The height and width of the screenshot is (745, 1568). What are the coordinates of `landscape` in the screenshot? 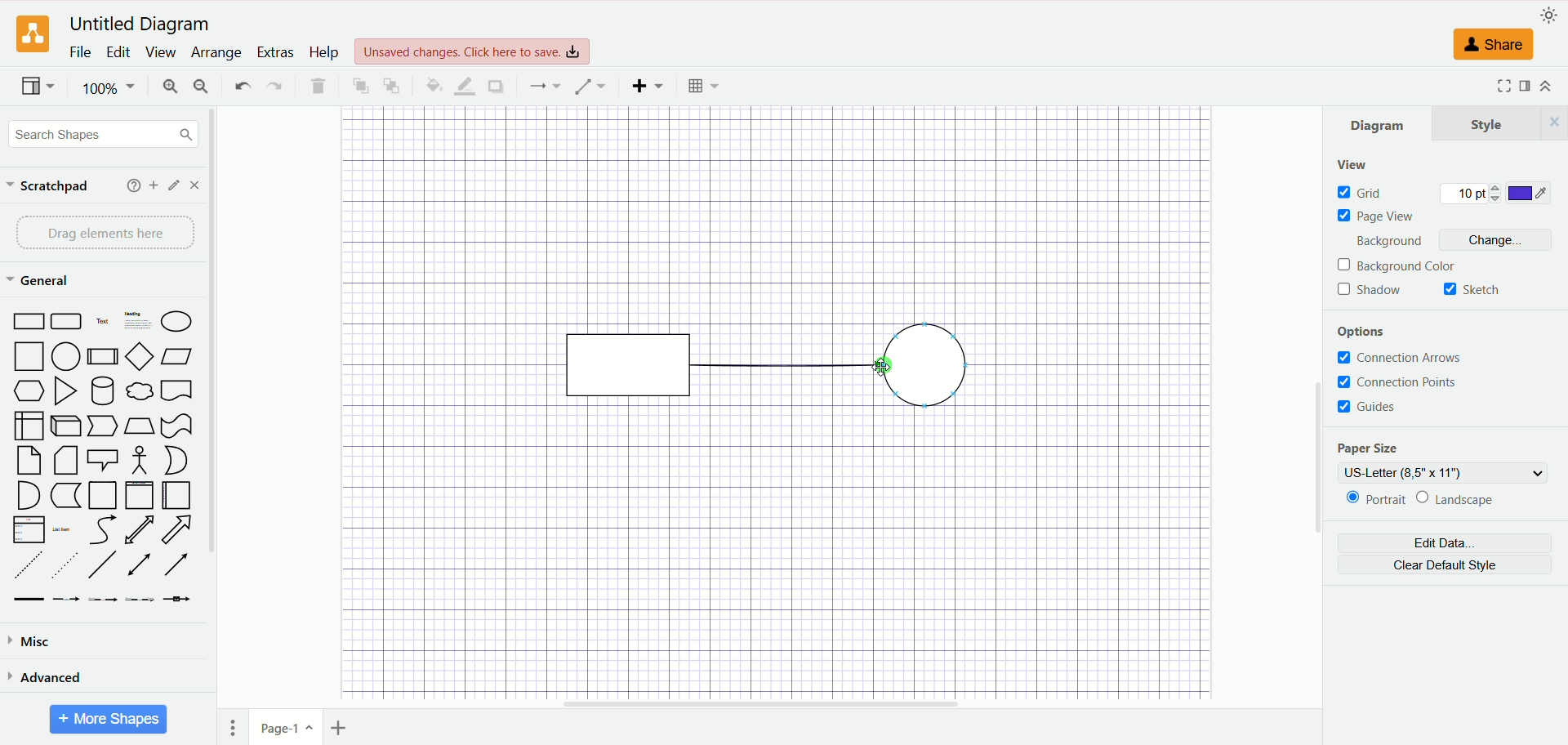 It's located at (1454, 498).